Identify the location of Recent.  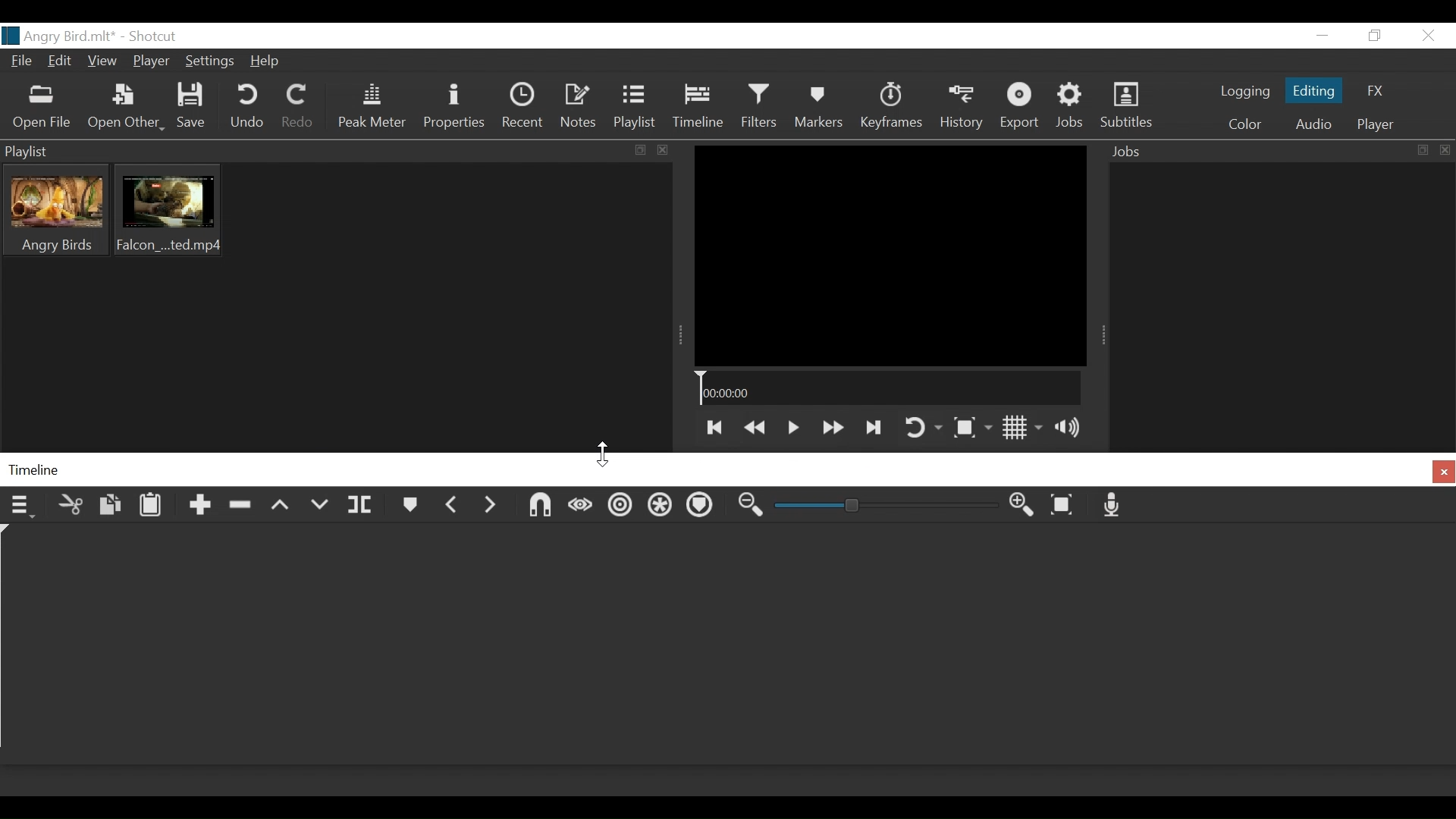
(526, 108).